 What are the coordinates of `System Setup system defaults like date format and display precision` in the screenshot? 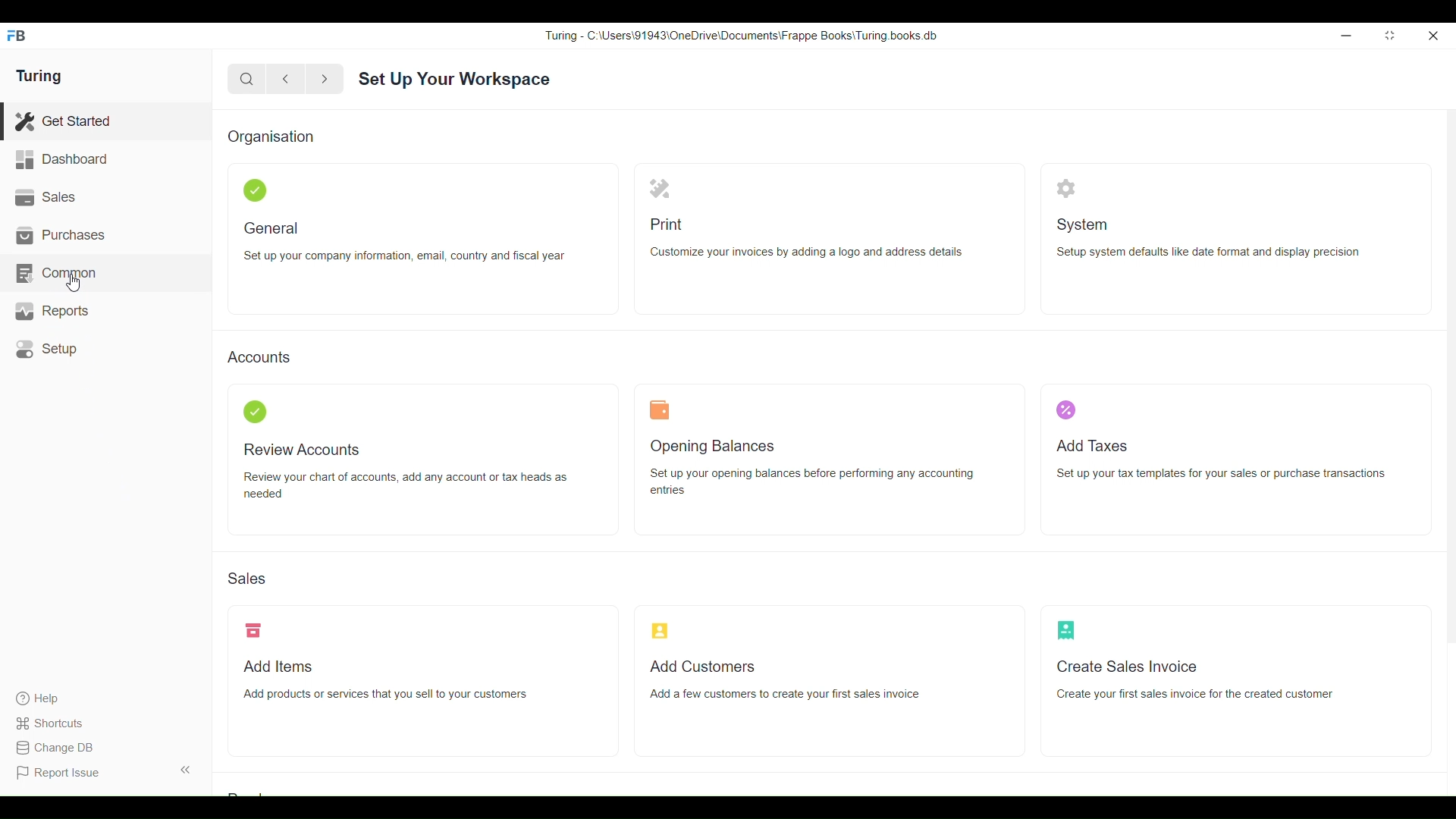 It's located at (1209, 238).